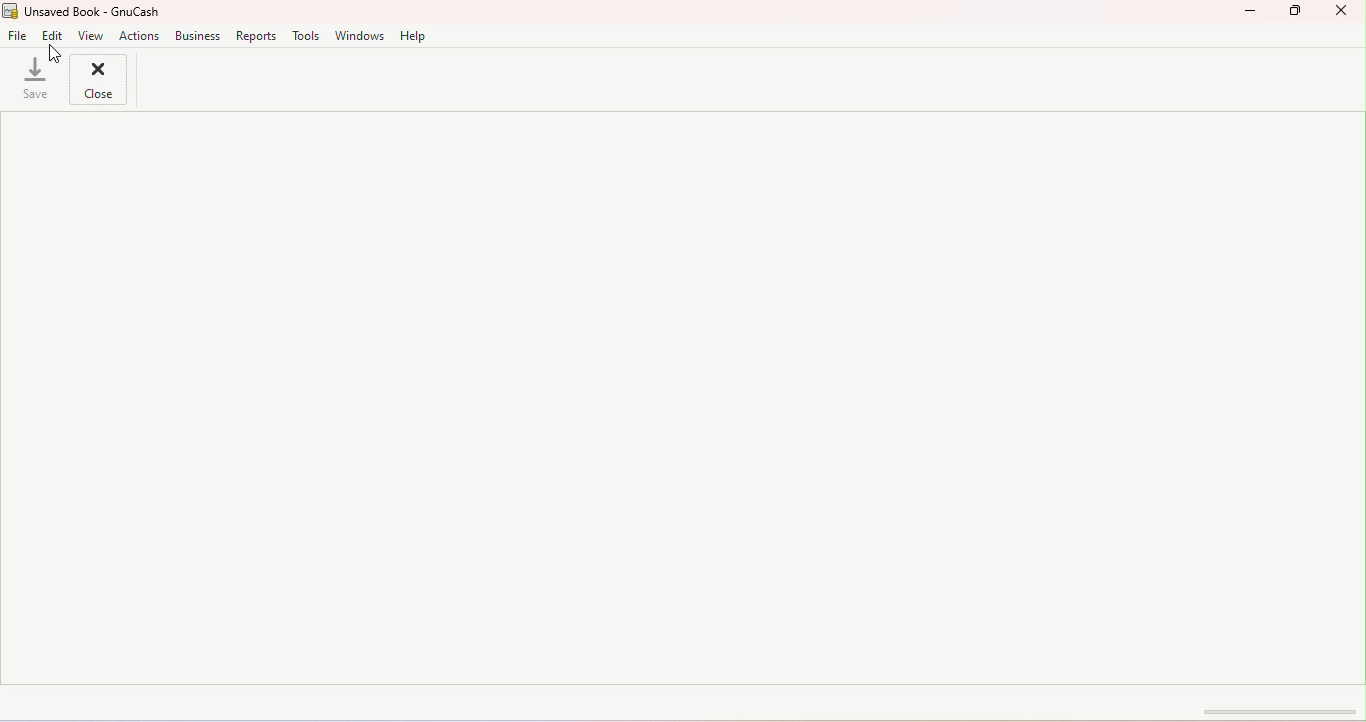 The height and width of the screenshot is (722, 1366). What do you see at coordinates (363, 36) in the screenshot?
I see `Windows` at bounding box center [363, 36].